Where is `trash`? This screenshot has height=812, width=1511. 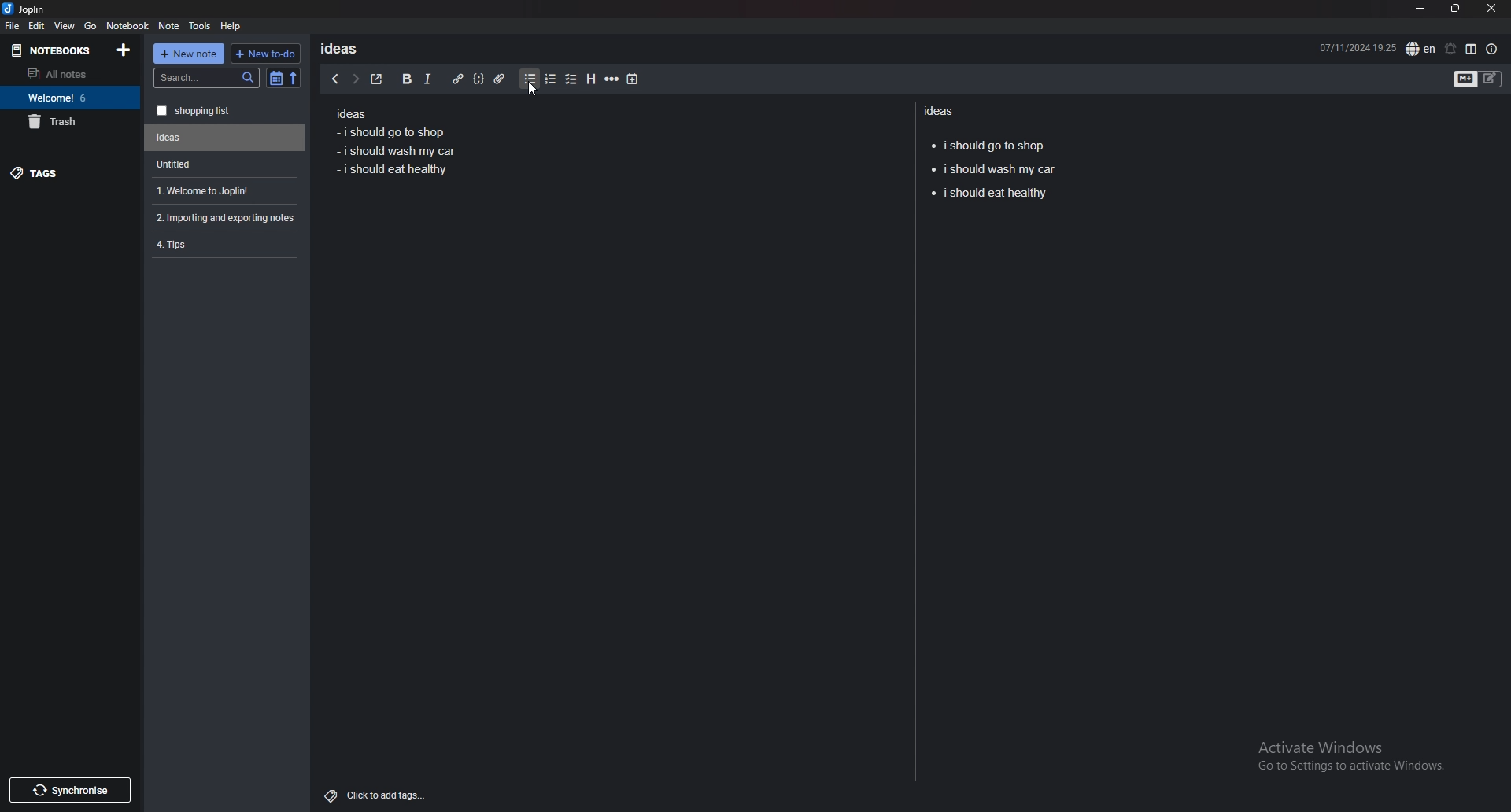
trash is located at coordinates (70, 121).